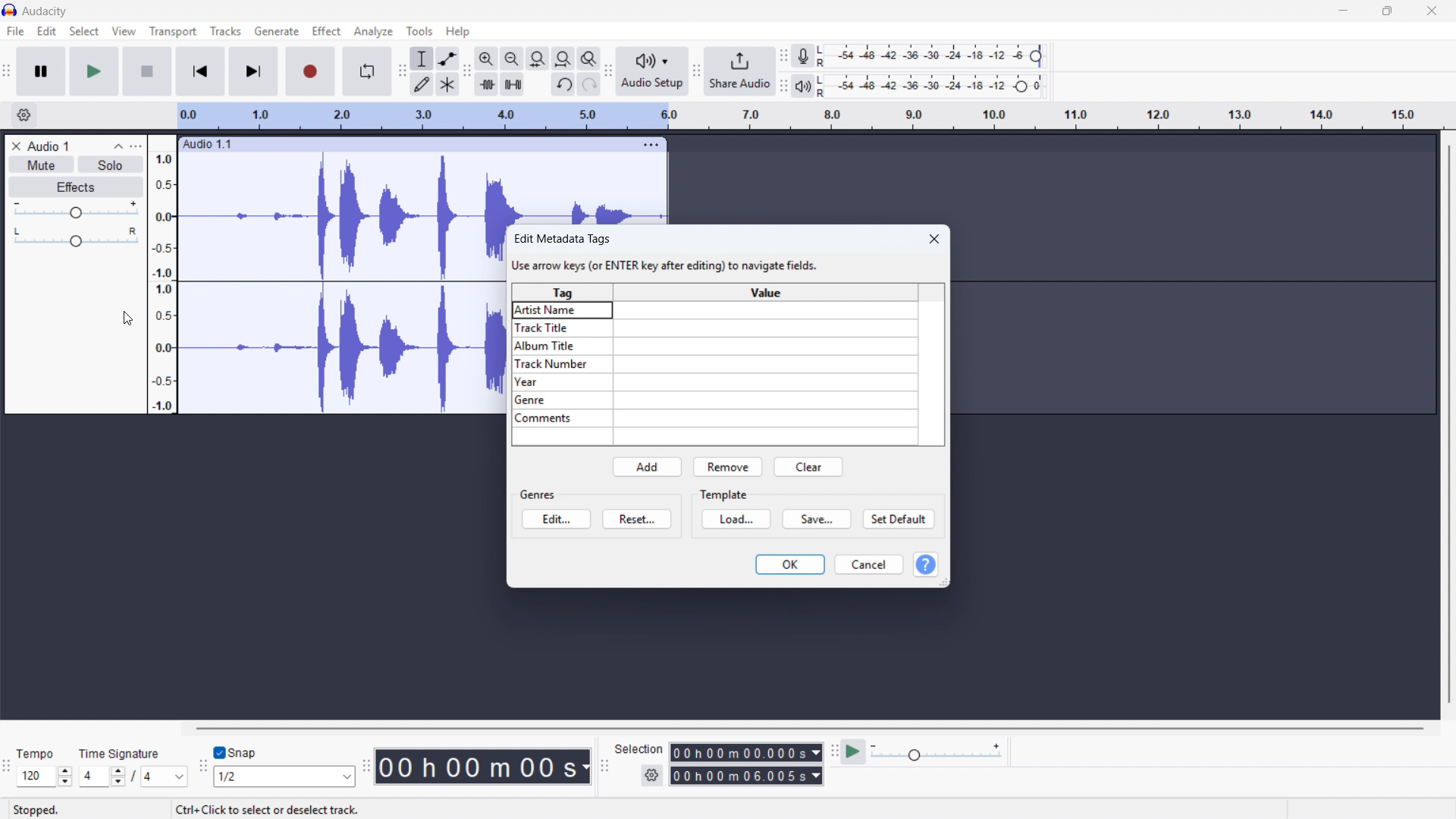  I want to click on add, so click(648, 467).